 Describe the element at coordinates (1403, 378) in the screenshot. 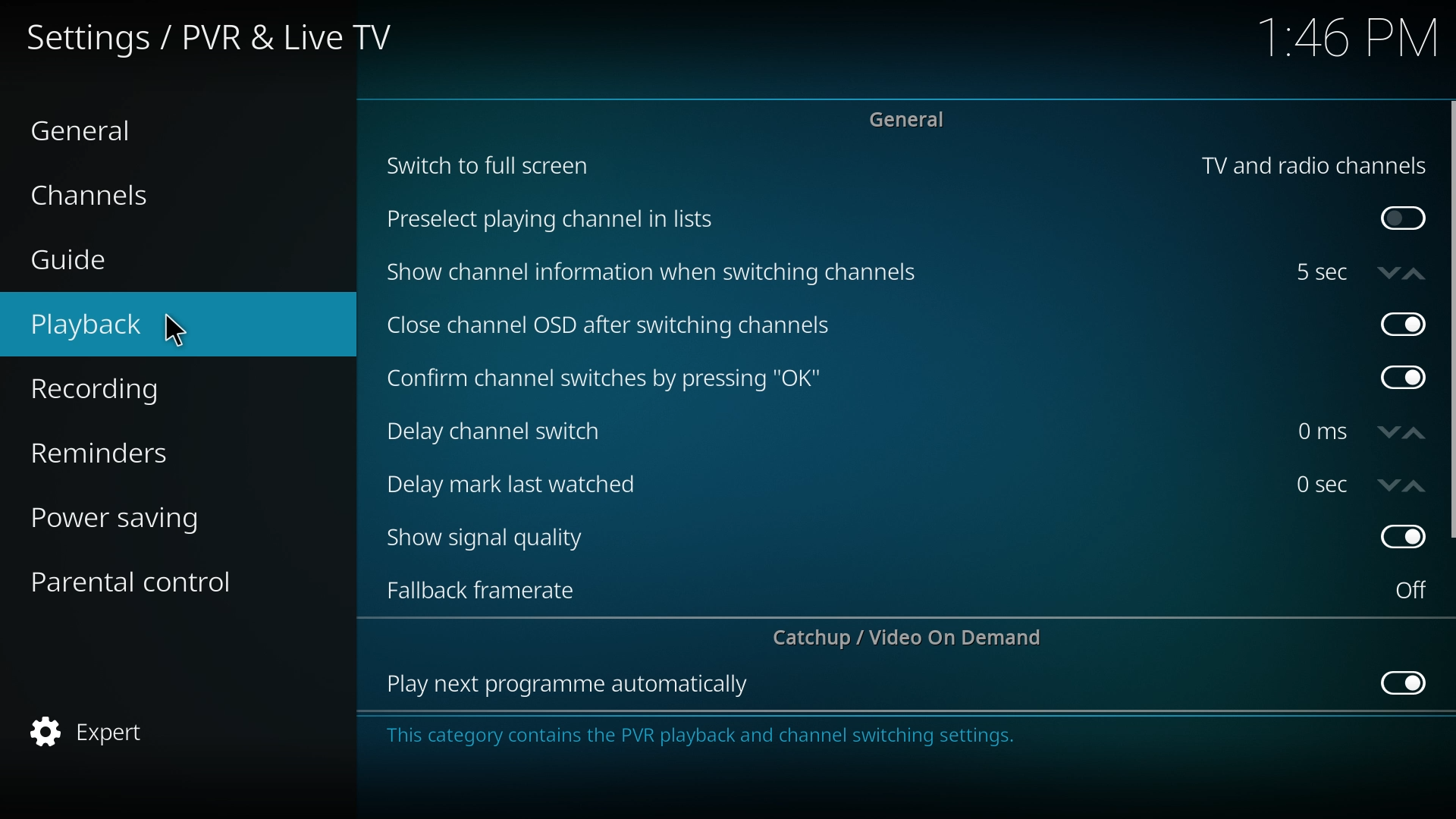

I see `off` at that location.